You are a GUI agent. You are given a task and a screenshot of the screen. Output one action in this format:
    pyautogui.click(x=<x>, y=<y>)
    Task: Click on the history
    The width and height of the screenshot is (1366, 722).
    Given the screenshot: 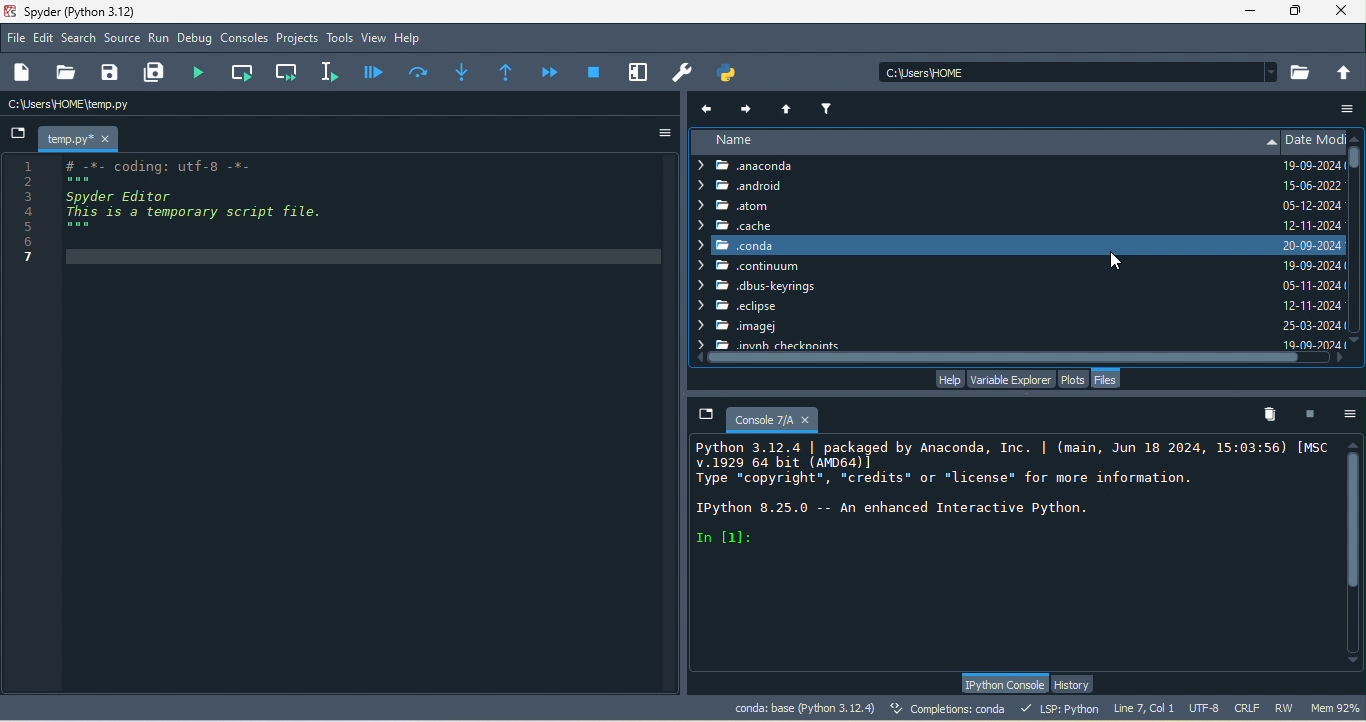 What is the action you would take?
    pyautogui.click(x=1076, y=684)
    